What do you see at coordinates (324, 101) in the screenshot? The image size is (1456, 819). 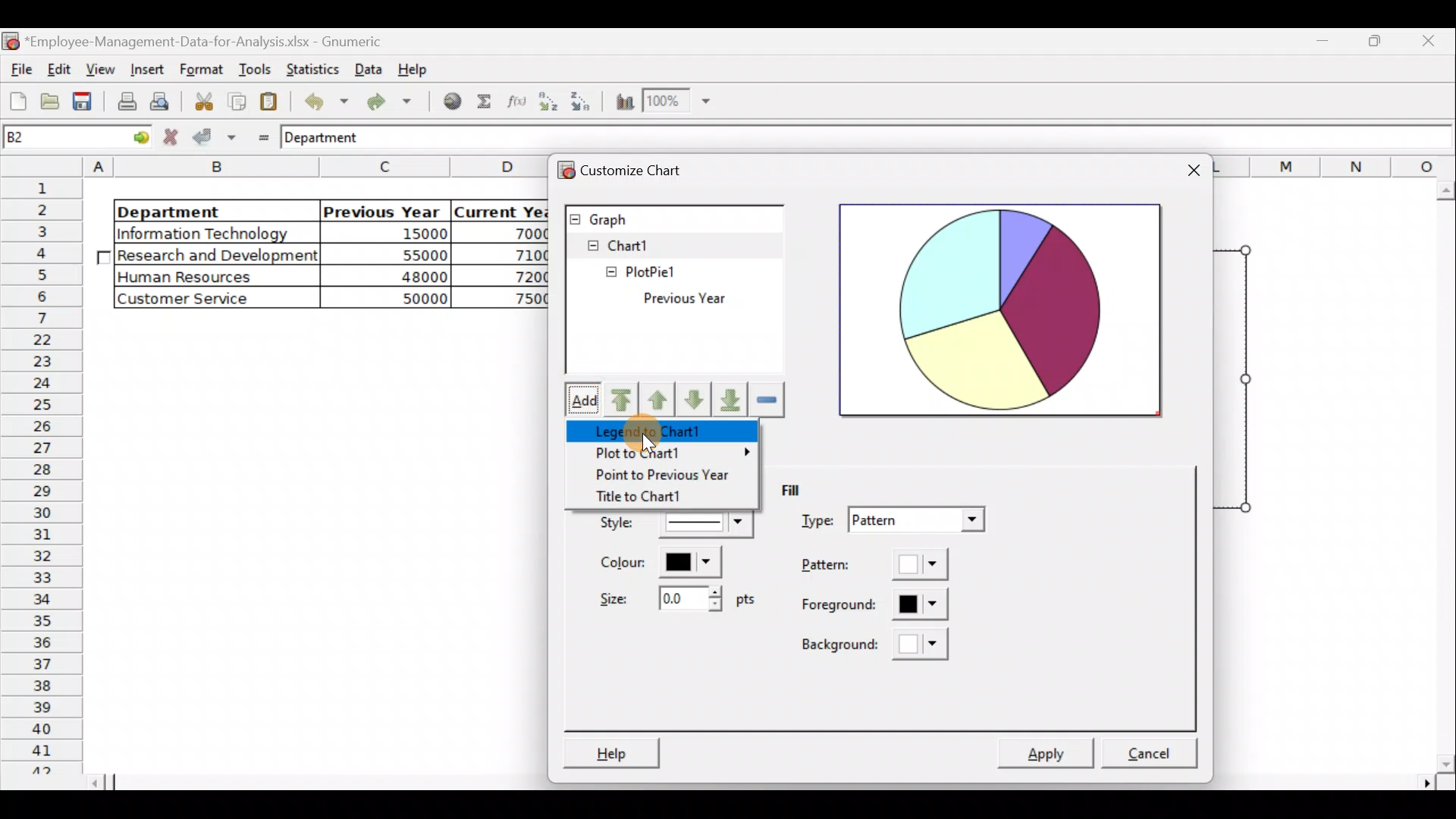 I see `Undo last action` at bounding box center [324, 101].